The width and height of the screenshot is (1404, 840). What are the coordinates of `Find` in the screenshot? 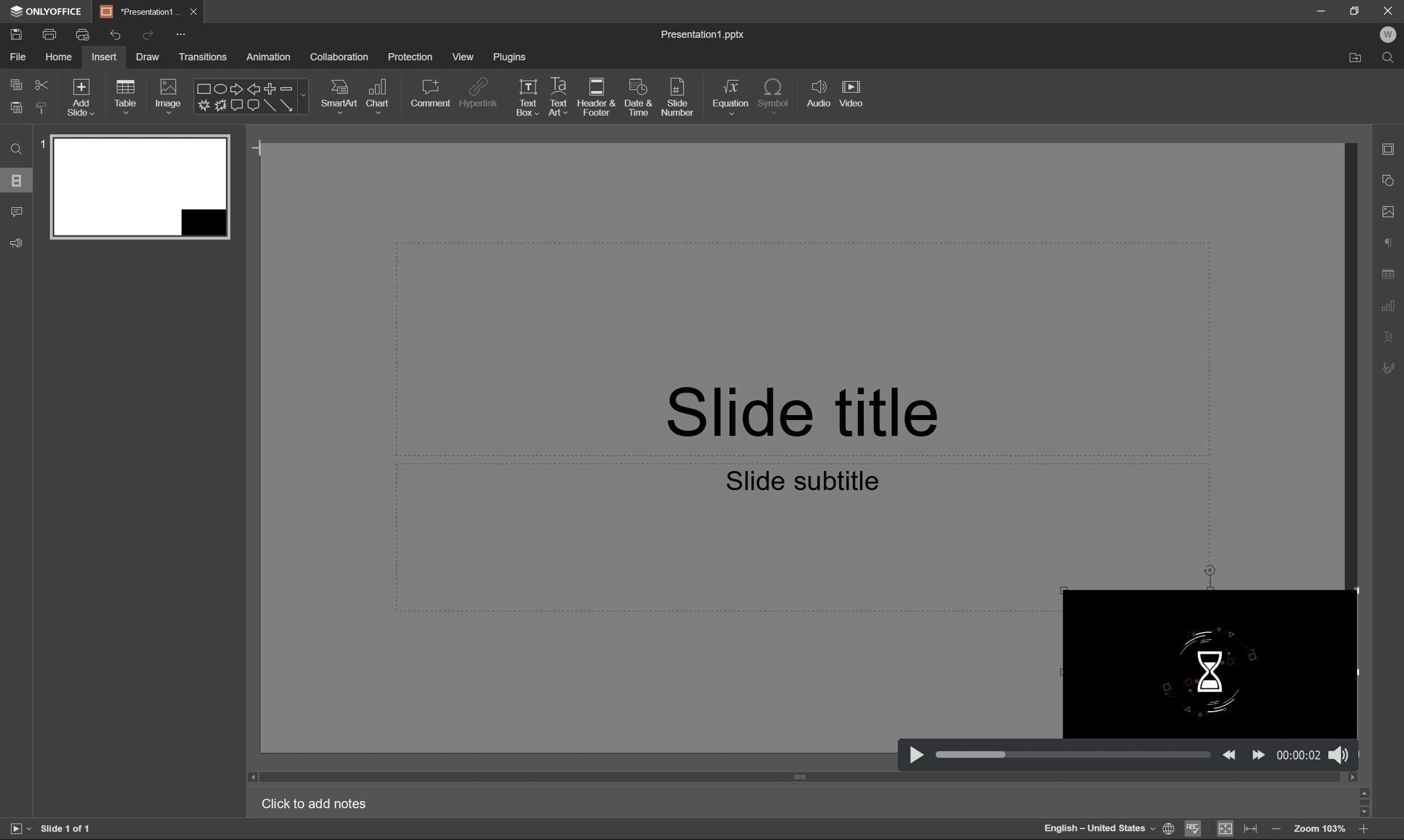 It's located at (1391, 59).